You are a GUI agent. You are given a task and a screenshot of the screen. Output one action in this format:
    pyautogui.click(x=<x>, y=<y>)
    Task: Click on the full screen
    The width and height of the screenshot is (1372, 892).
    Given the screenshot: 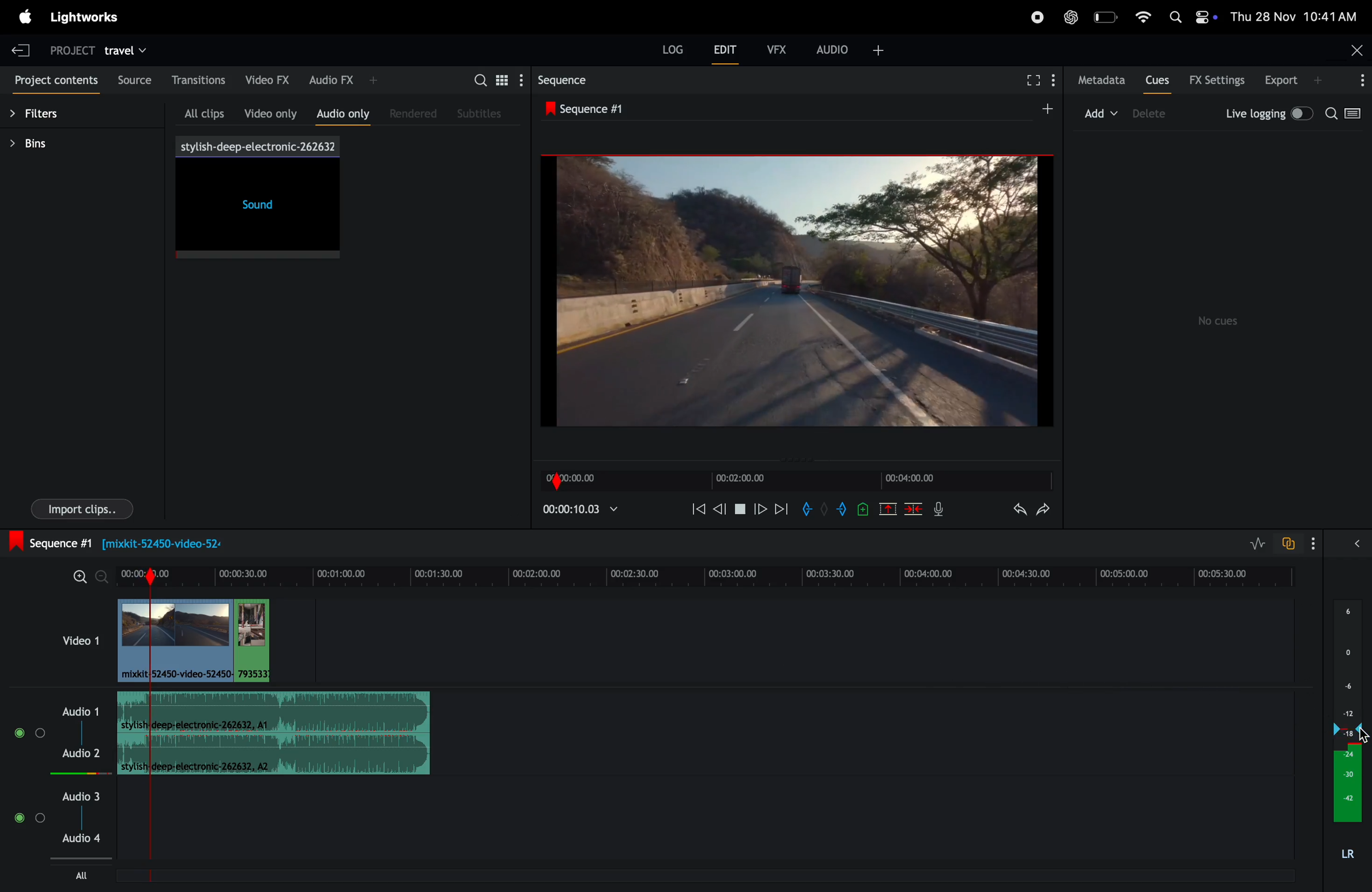 What is the action you would take?
    pyautogui.click(x=1036, y=80)
    